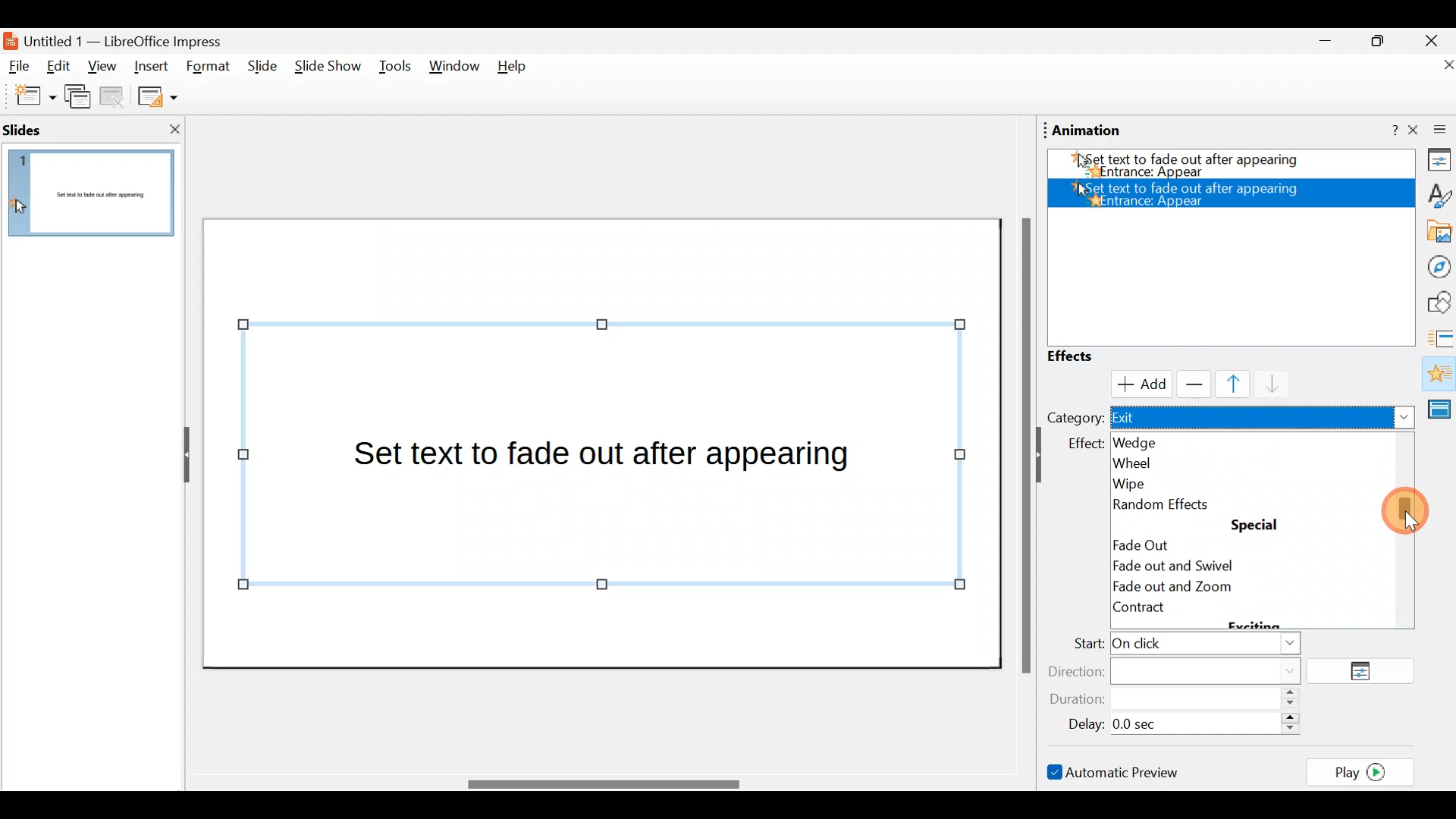 This screenshot has height=819, width=1456. I want to click on Minimise, so click(1323, 45).